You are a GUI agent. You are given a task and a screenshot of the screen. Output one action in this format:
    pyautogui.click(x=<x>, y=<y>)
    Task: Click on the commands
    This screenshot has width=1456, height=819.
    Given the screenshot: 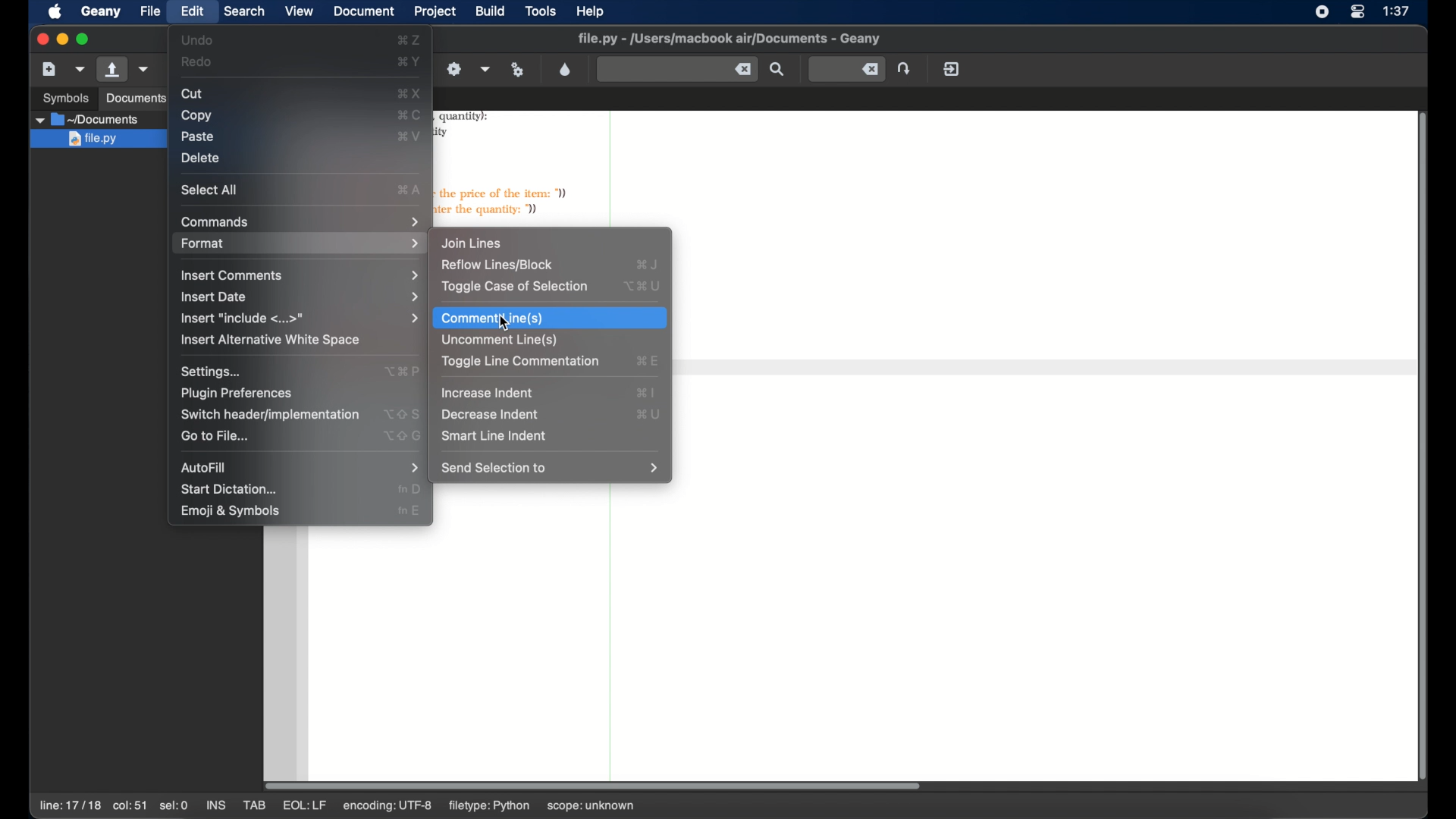 What is the action you would take?
    pyautogui.click(x=300, y=222)
    